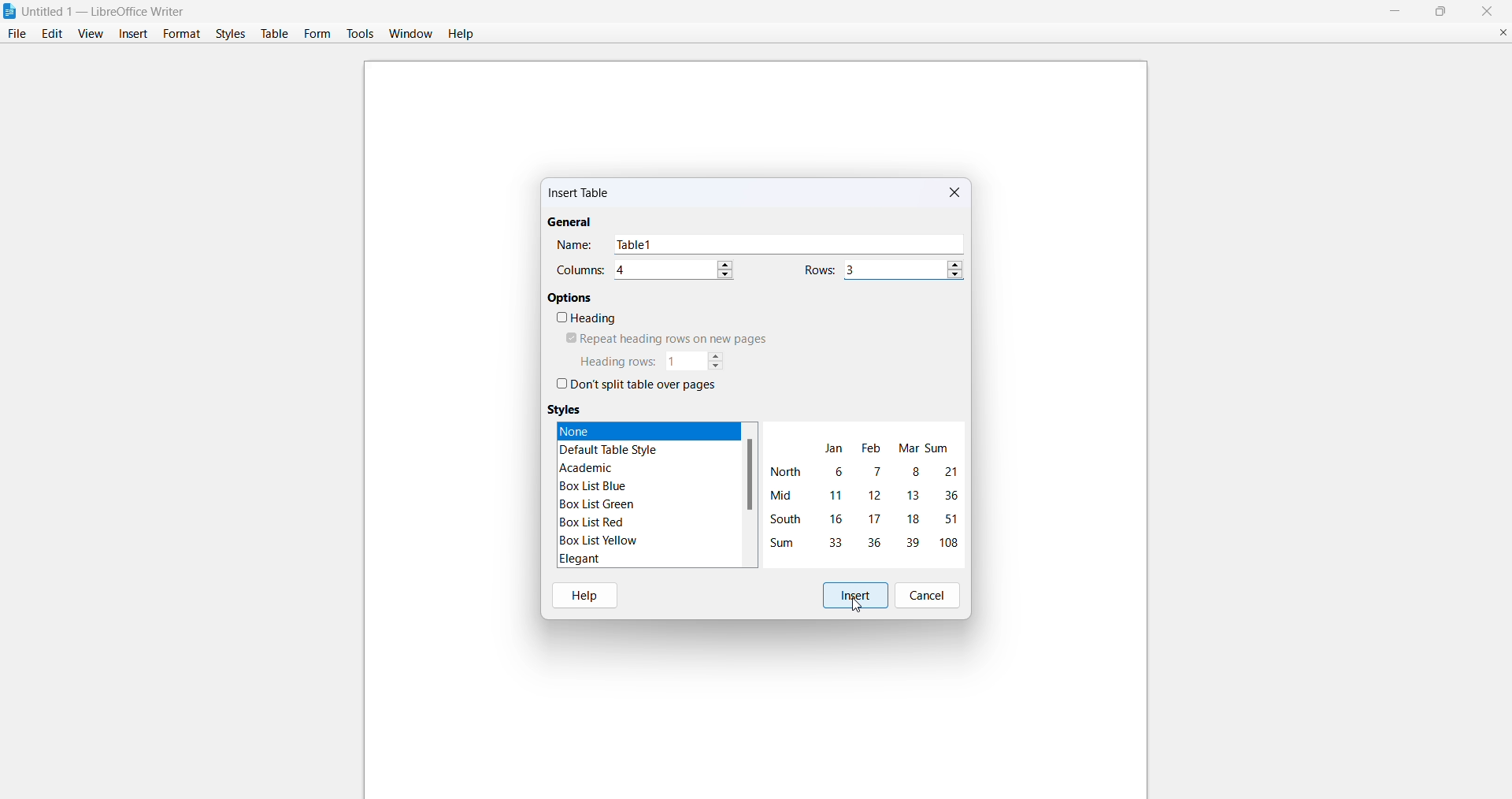  What do you see at coordinates (954, 277) in the screenshot?
I see `decrease rows` at bounding box center [954, 277].